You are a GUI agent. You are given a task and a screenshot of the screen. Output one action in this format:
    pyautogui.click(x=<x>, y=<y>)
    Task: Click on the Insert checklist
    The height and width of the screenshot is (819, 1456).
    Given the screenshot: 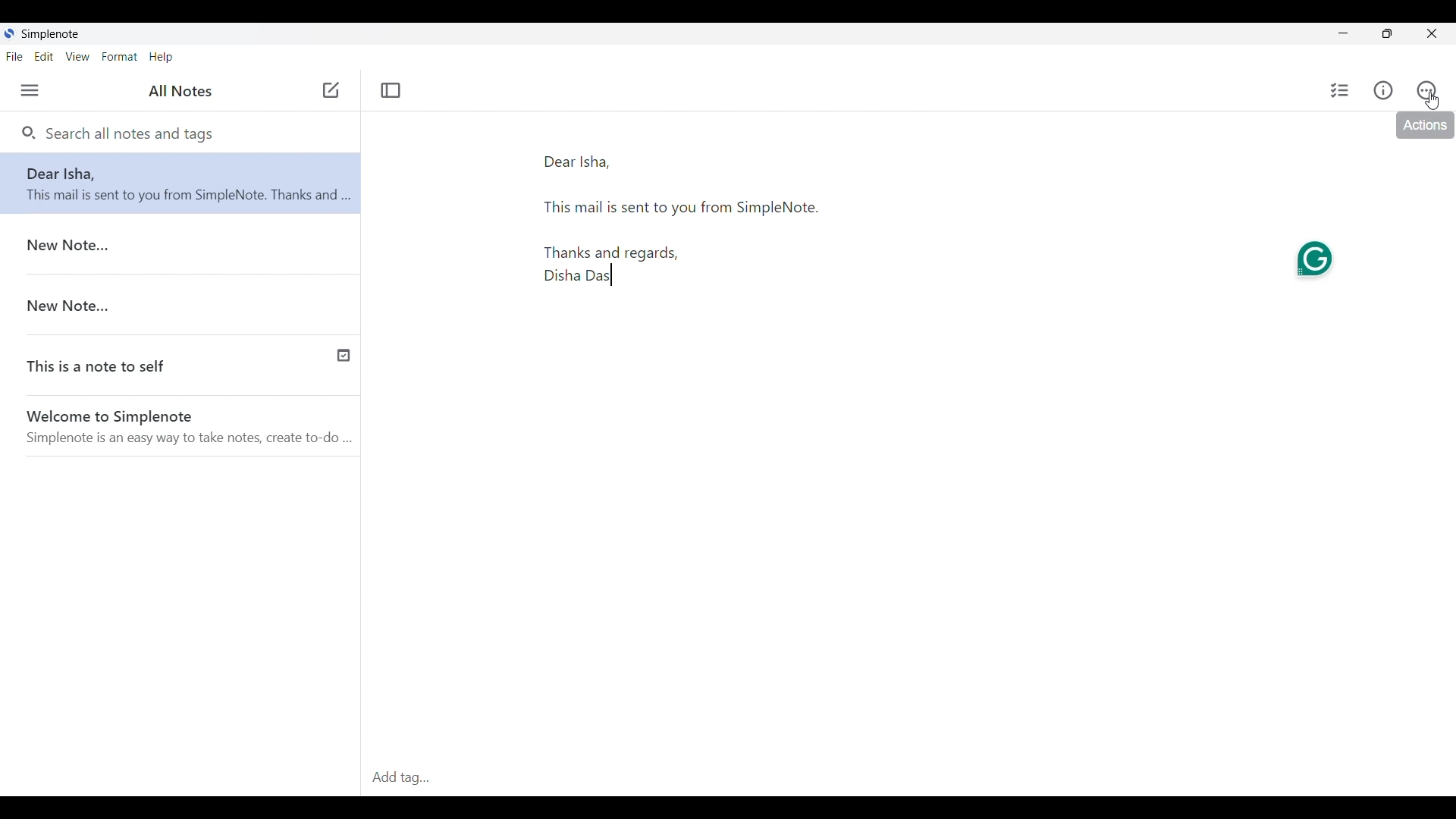 What is the action you would take?
    pyautogui.click(x=1340, y=89)
    